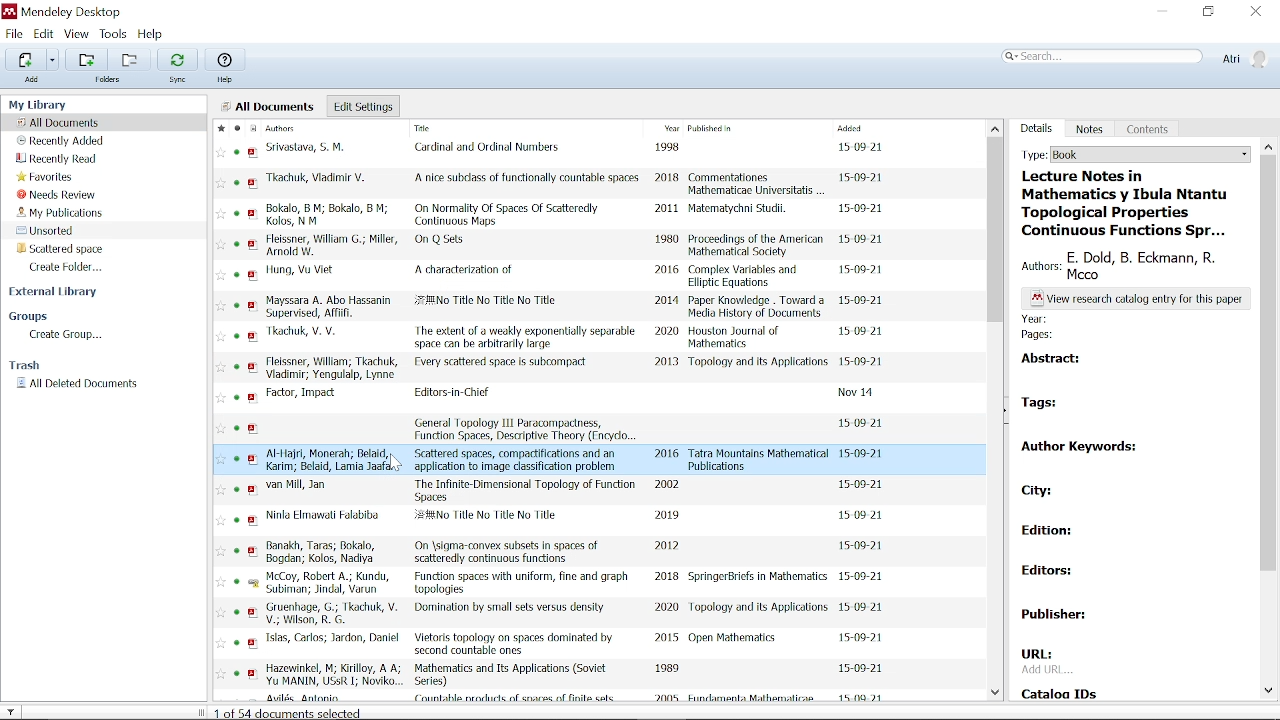 The width and height of the screenshot is (1280, 720). What do you see at coordinates (748, 277) in the screenshot?
I see `Complex Variables and
Elliptic Equations.` at bounding box center [748, 277].